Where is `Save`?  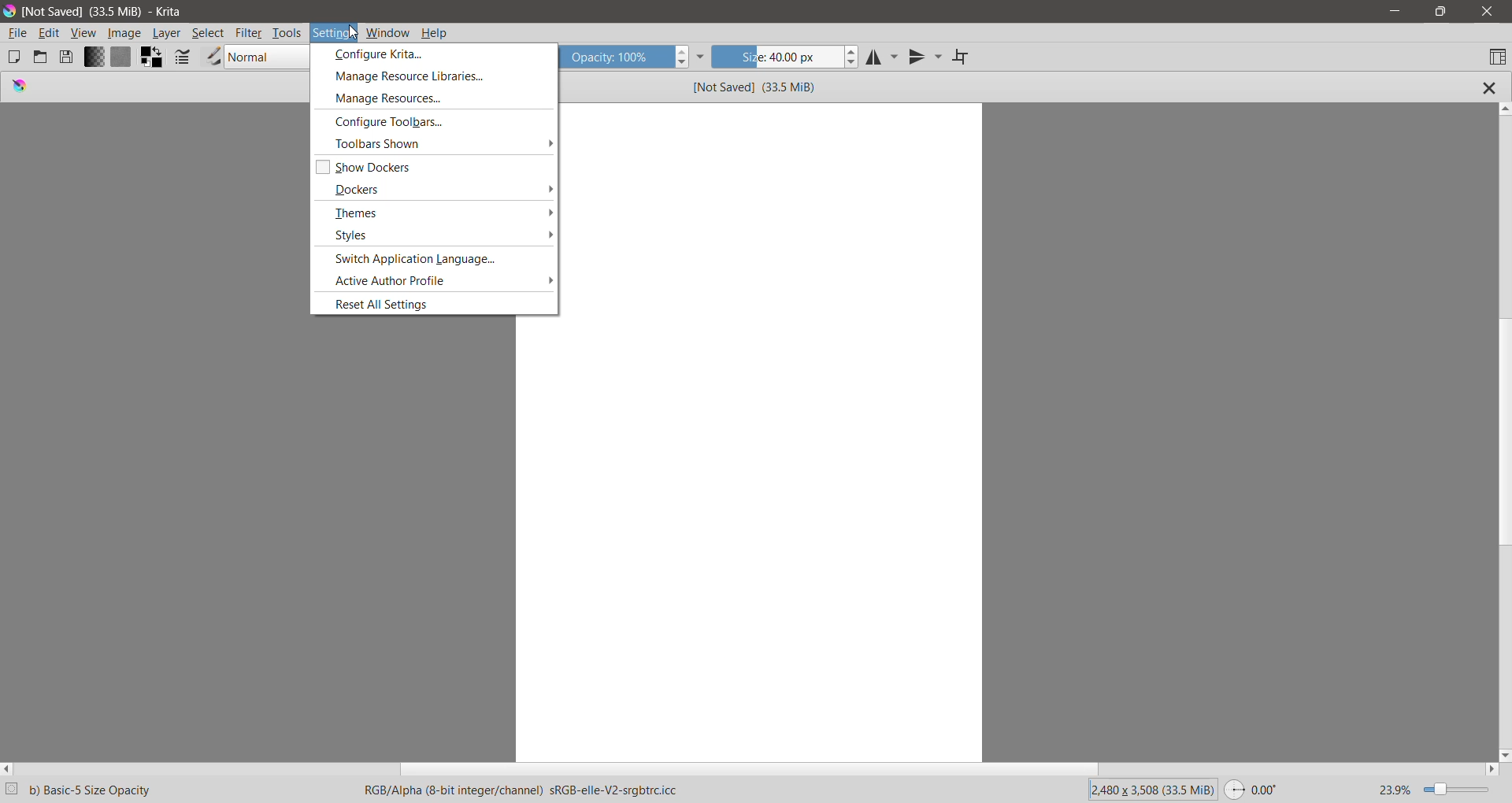 Save is located at coordinates (68, 58).